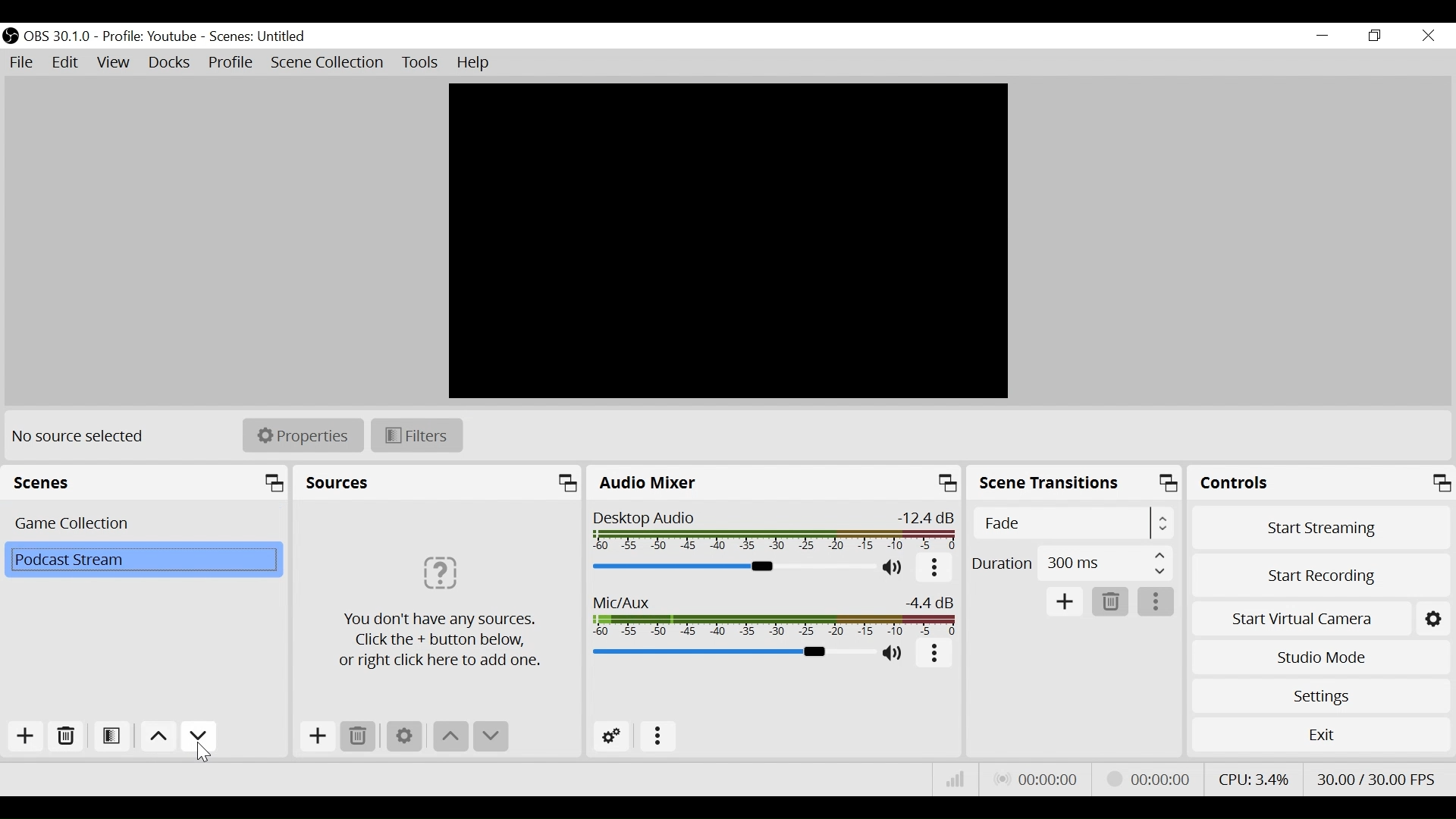 The image size is (1456, 819). What do you see at coordinates (357, 736) in the screenshot?
I see `Delete` at bounding box center [357, 736].